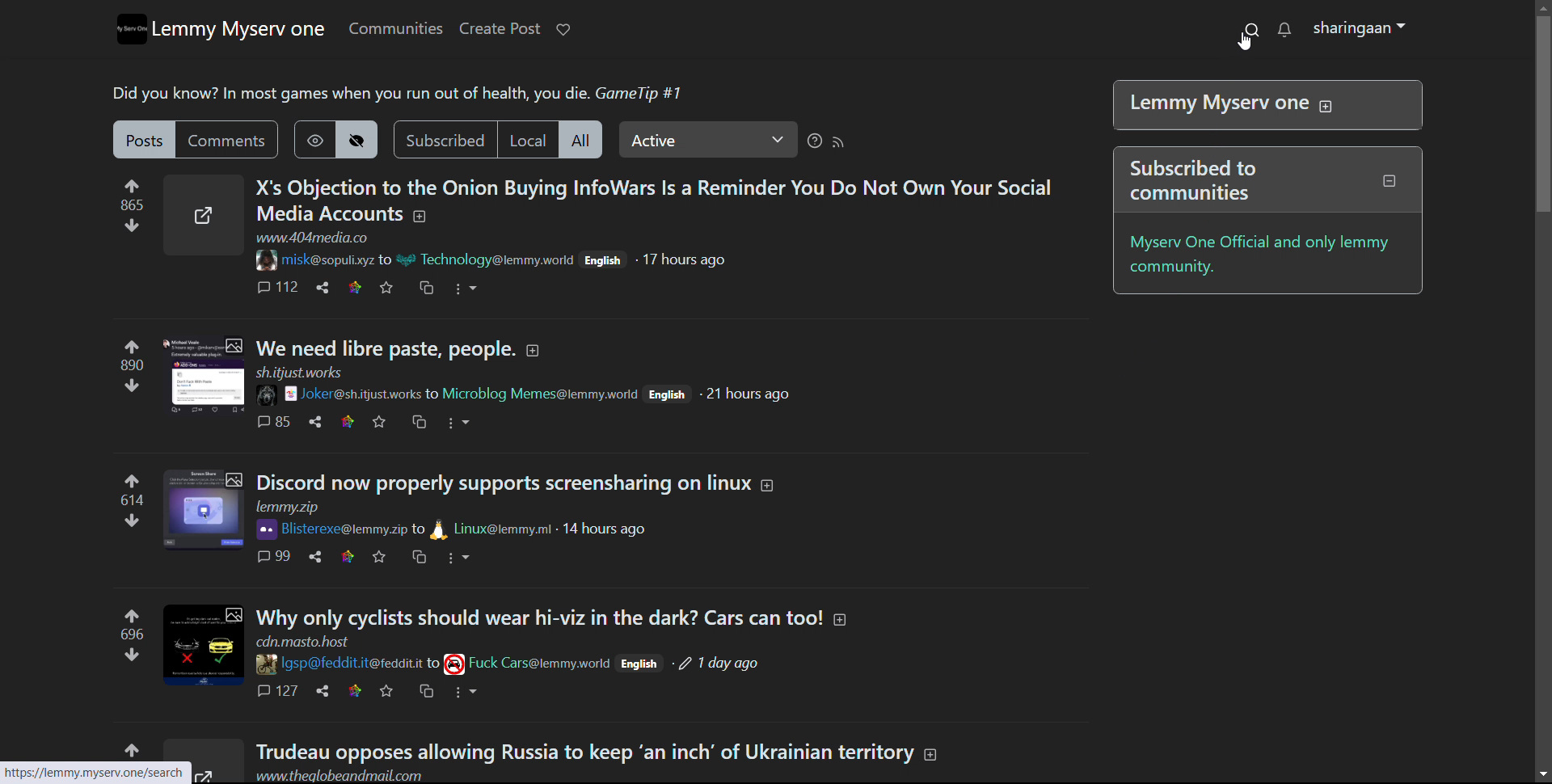  What do you see at coordinates (120, 368) in the screenshot?
I see `votes` at bounding box center [120, 368].